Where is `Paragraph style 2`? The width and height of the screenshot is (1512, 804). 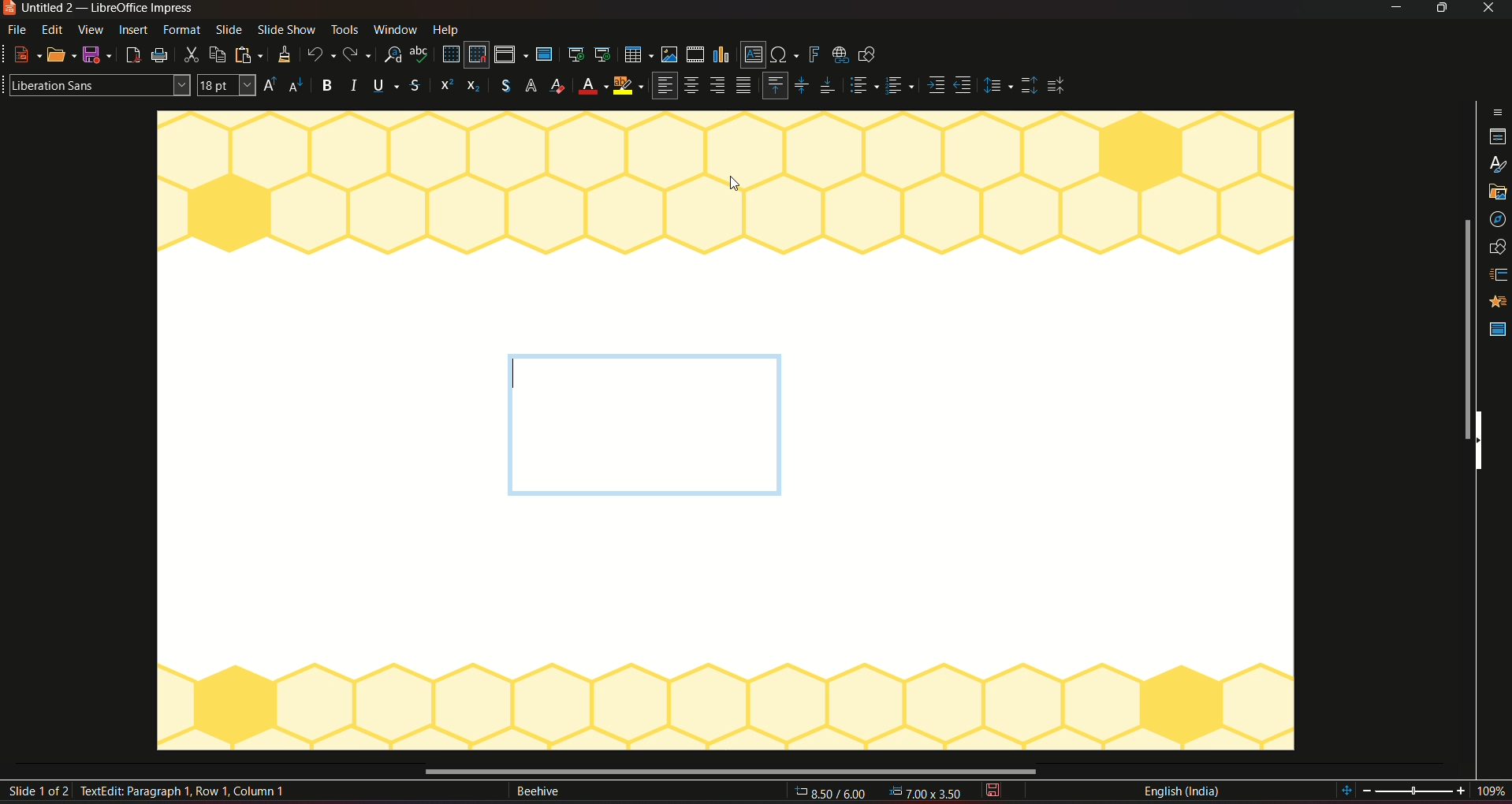 Paragraph style 2 is located at coordinates (902, 87).